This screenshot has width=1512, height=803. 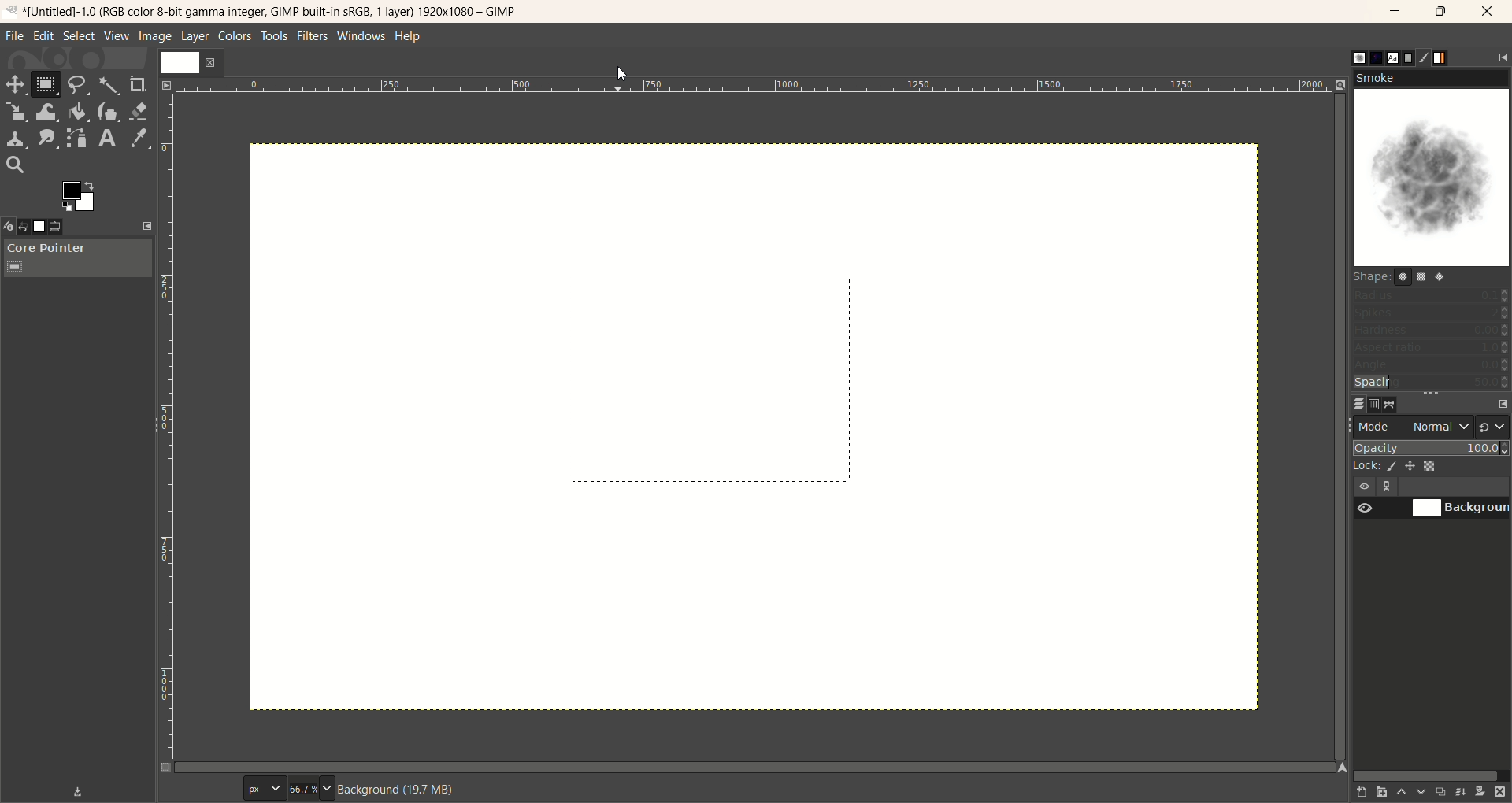 I want to click on windows, so click(x=360, y=35).